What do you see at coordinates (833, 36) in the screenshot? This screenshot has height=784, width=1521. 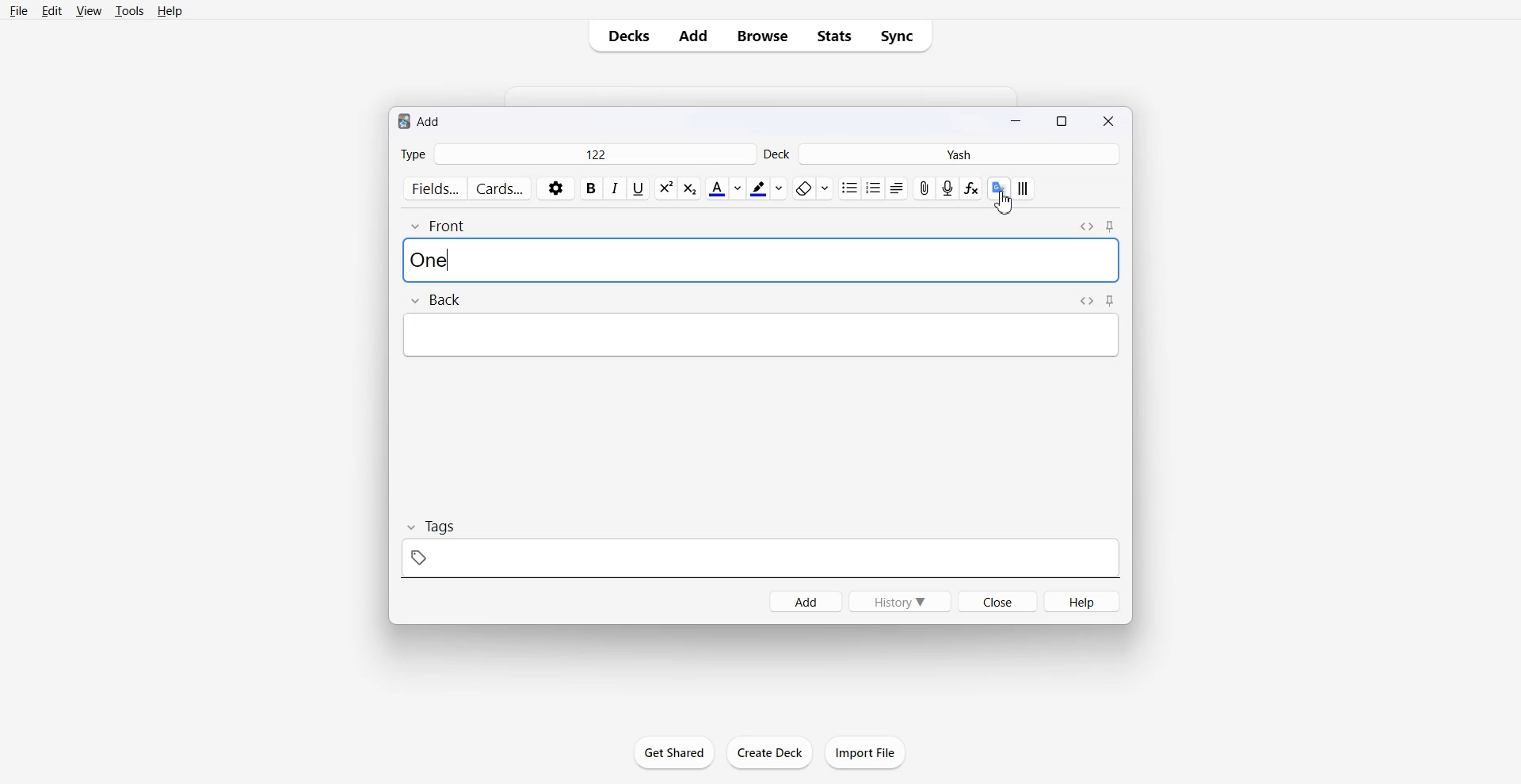 I see `Stats` at bounding box center [833, 36].